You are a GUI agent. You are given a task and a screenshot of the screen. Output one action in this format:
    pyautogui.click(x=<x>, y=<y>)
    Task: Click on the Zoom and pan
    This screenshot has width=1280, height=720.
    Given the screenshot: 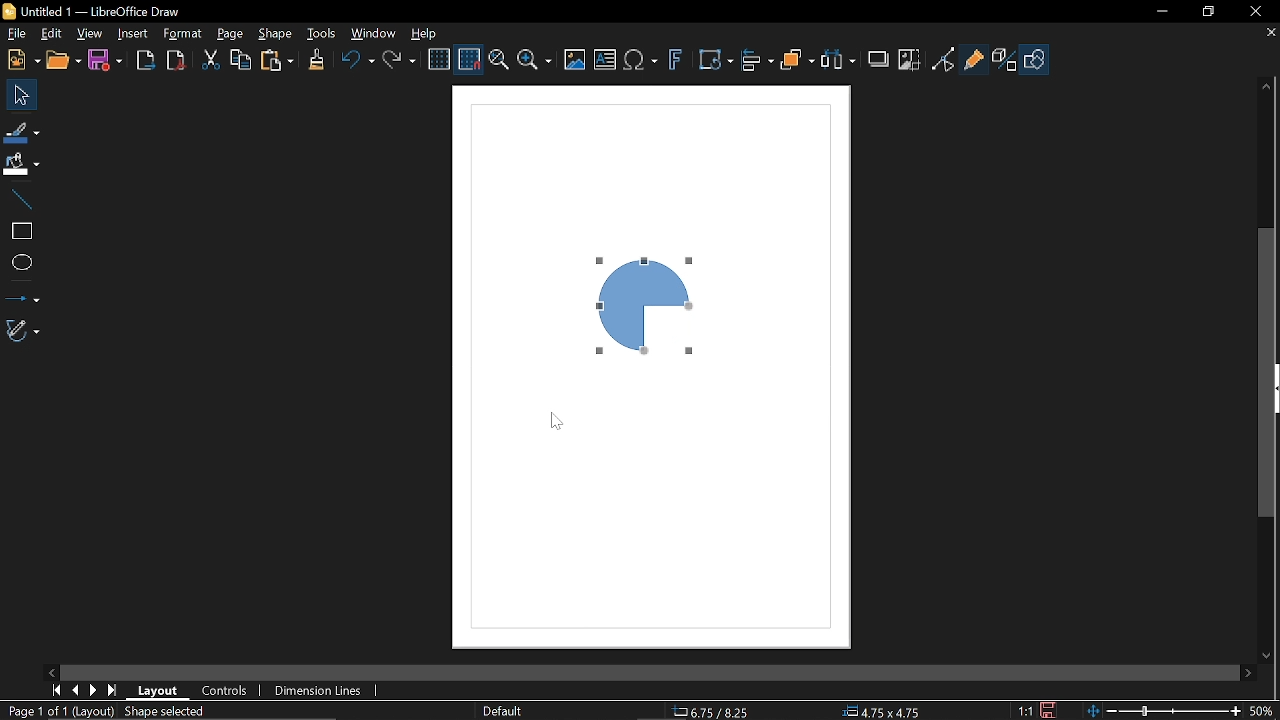 What is the action you would take?
    pyautogui.click(x=498, y=62)
    